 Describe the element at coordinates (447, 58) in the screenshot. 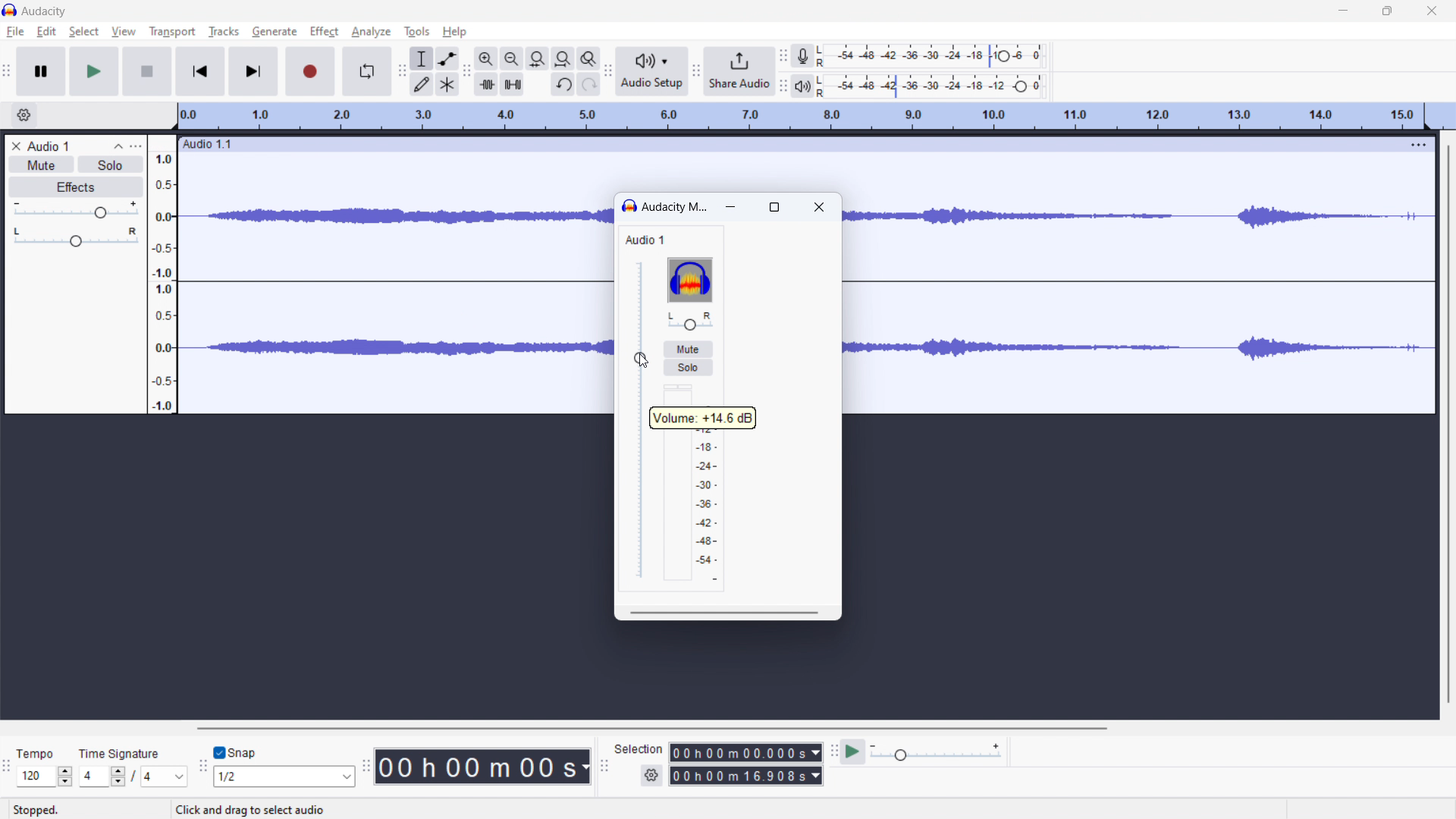

I see `envelop tool` at that location.